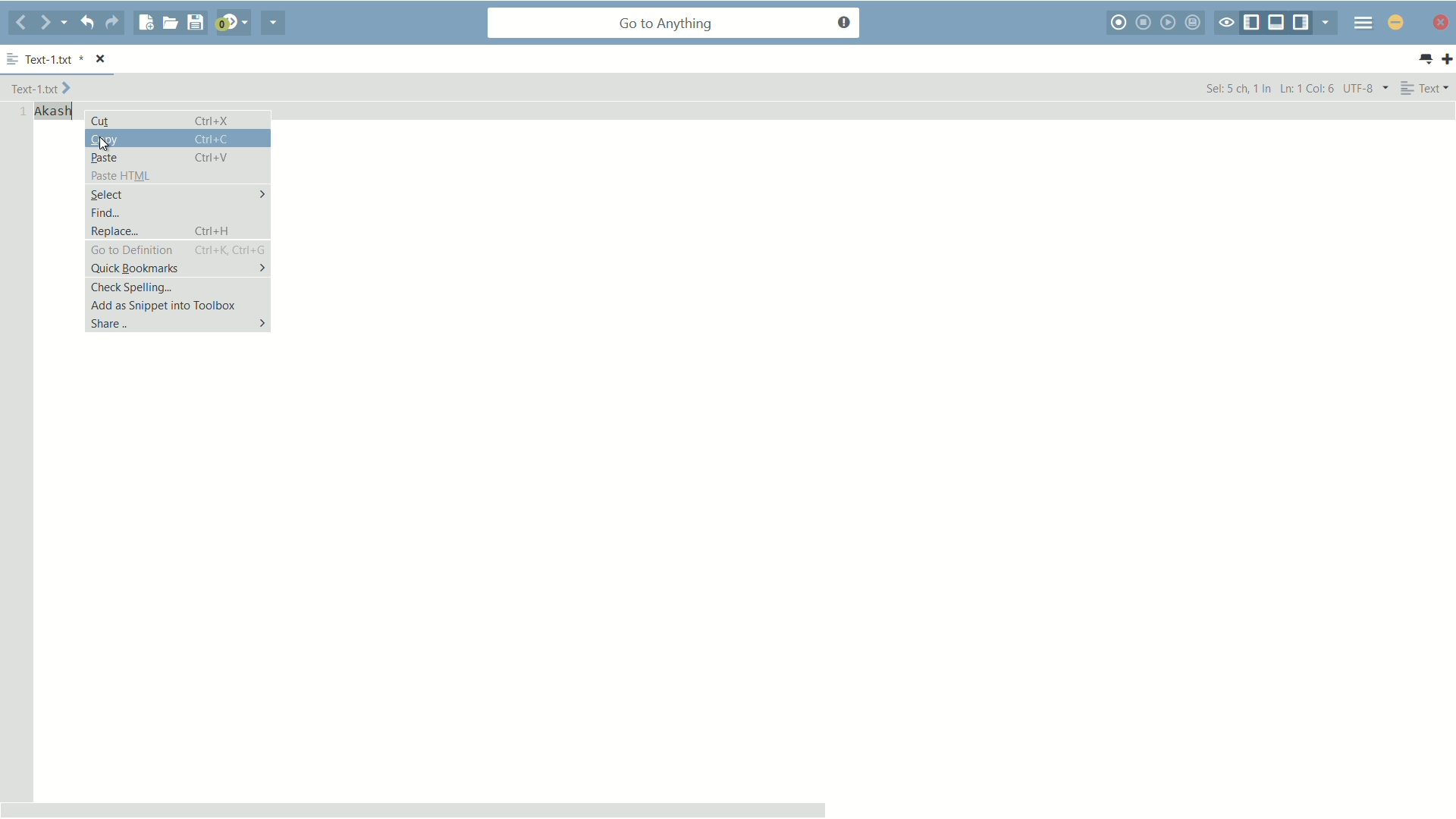 The height and width of the screenshot is (819, 1456). Describe the element at coordinates (274, 23) in the screenshot. I see `share current file` at that location.